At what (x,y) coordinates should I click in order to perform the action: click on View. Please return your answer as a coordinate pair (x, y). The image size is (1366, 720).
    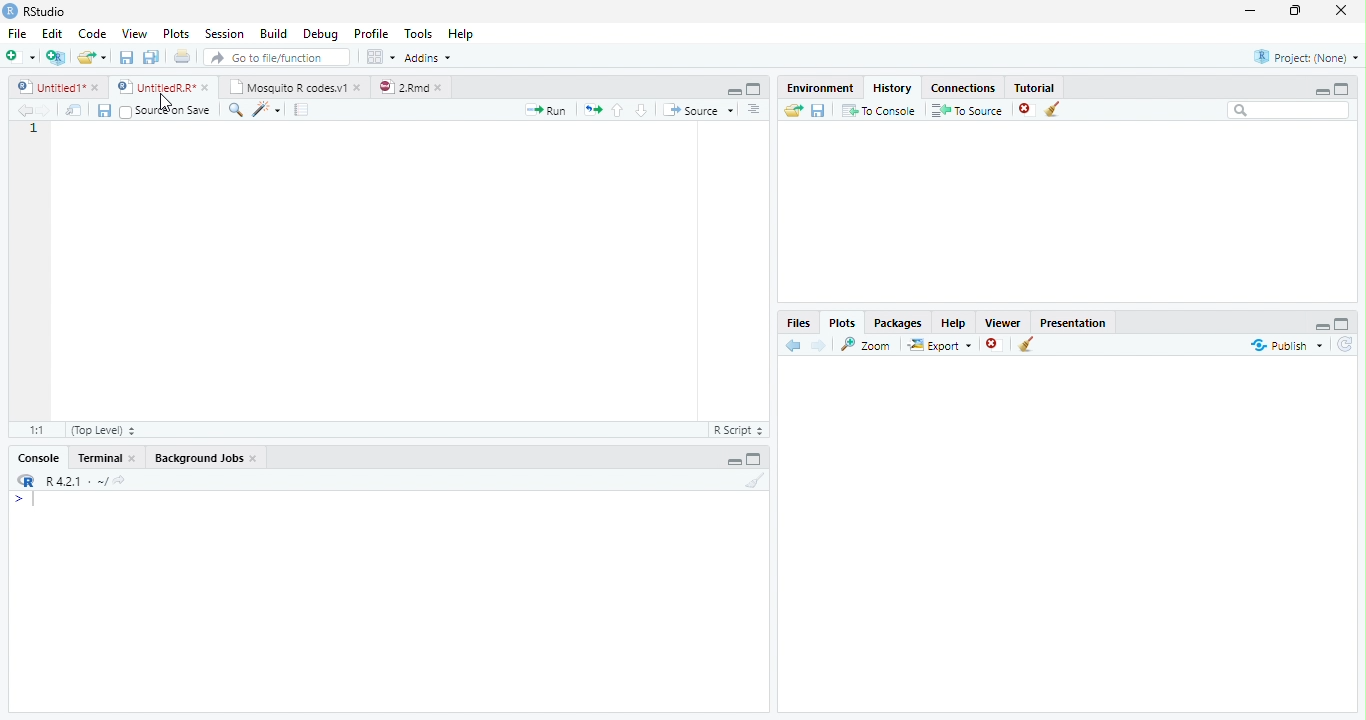
    Looking at the image, I should click on (135, 32).